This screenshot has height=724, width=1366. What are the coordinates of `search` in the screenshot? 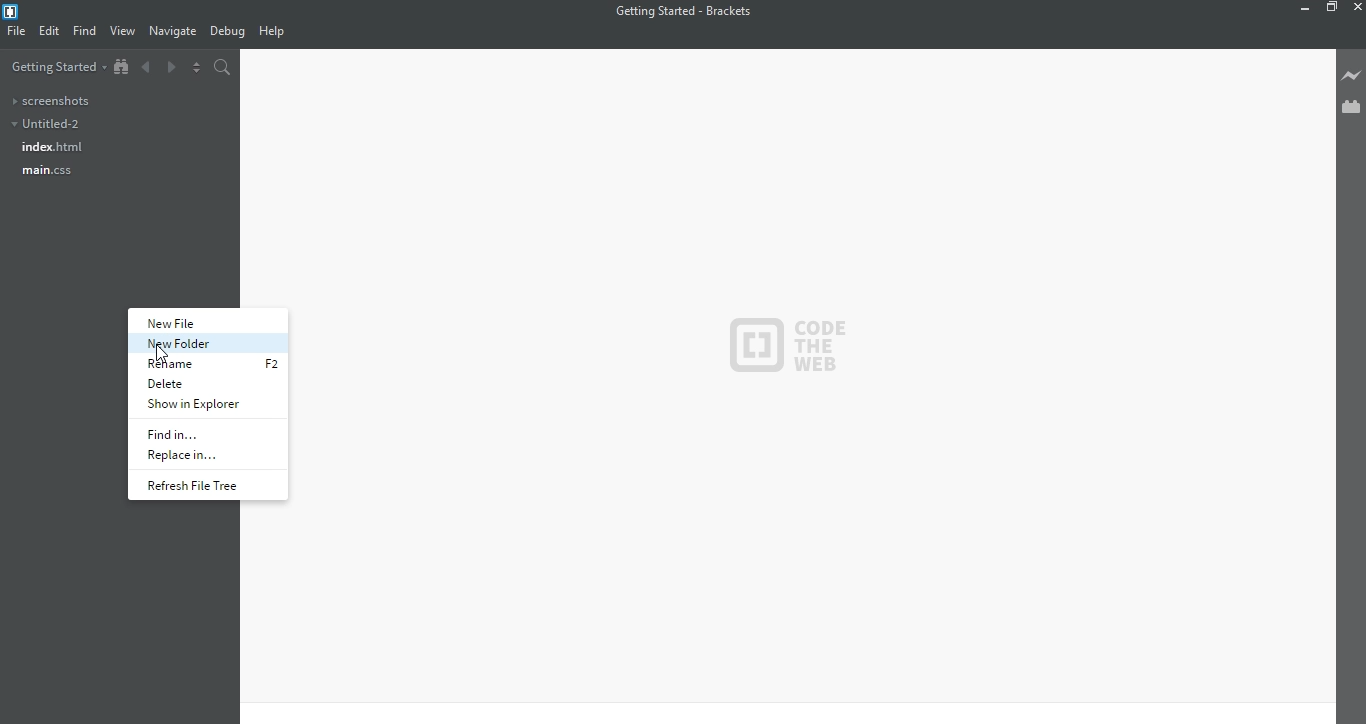 It's located at (222, 67).